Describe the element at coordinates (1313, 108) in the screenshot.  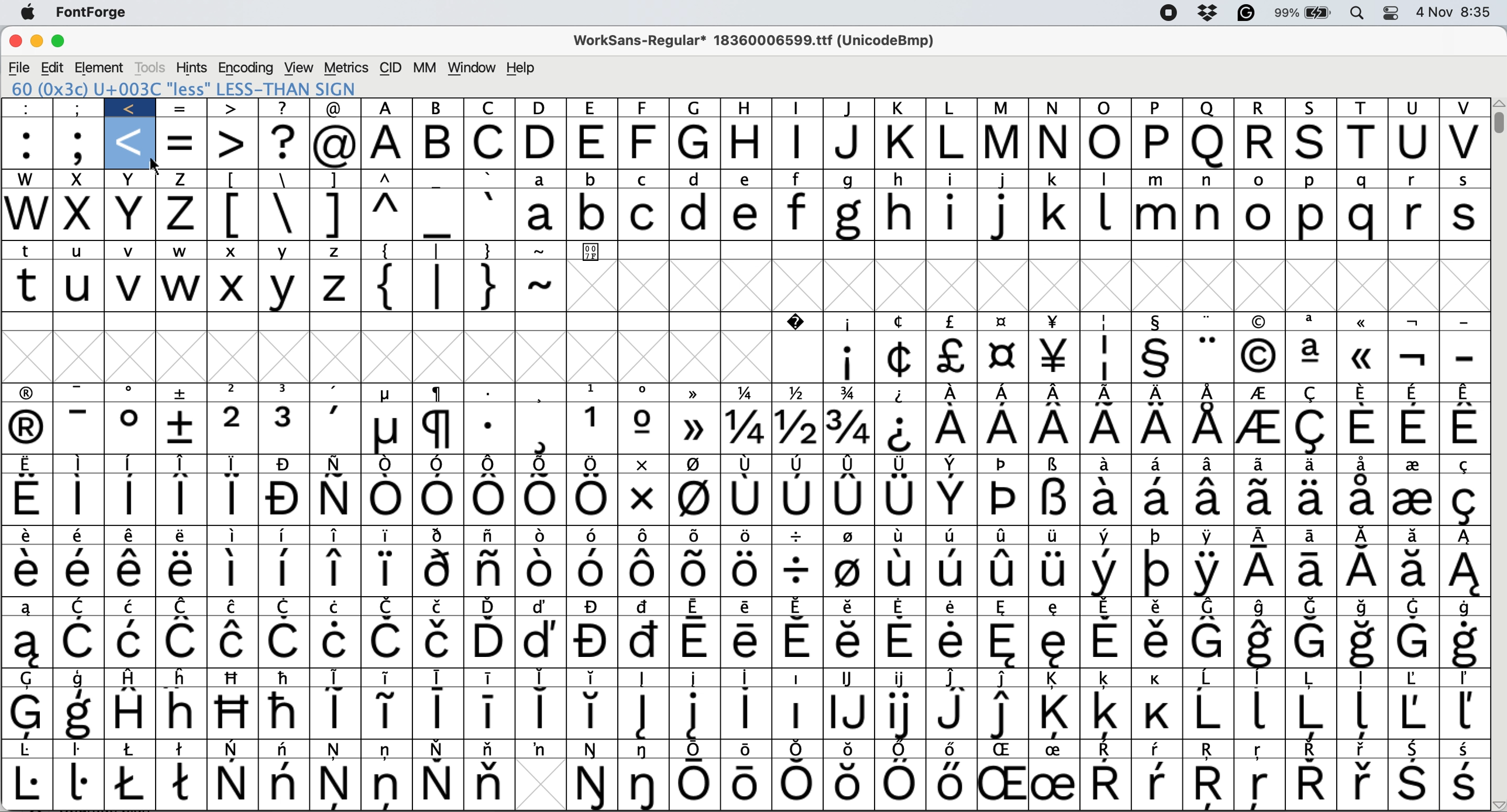
I see `s` at that location.